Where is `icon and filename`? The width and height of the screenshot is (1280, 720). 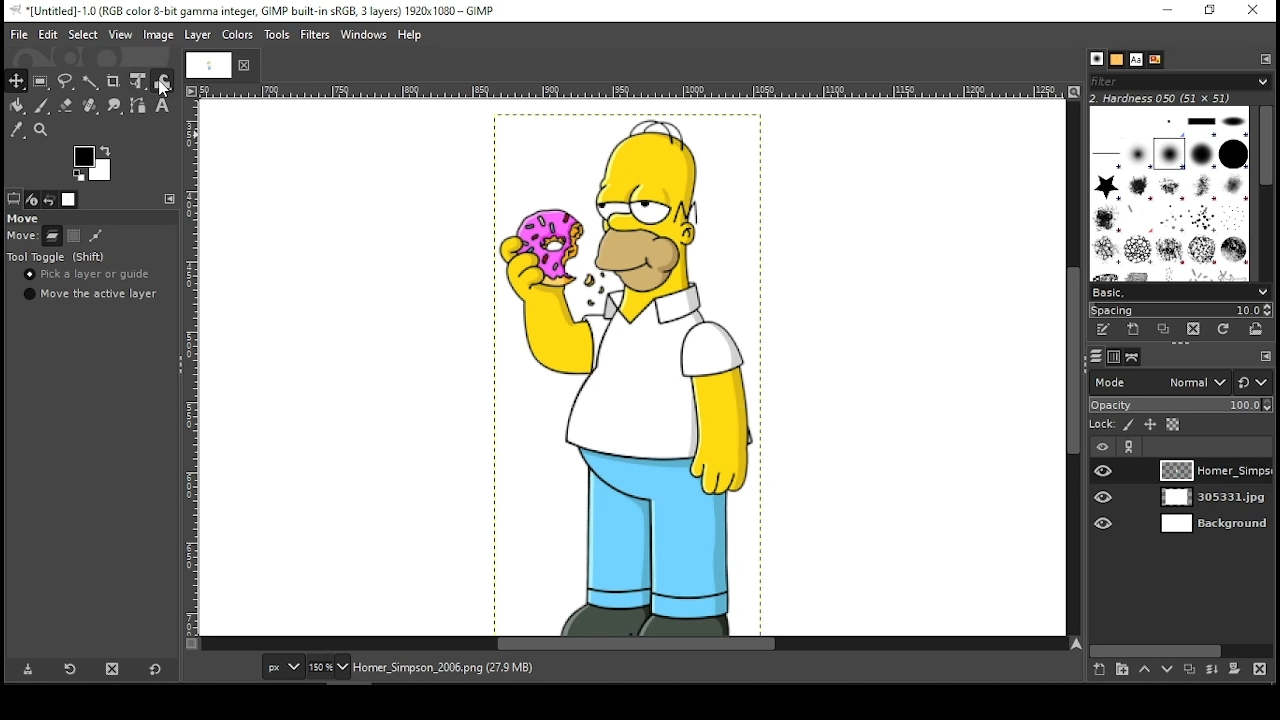 icon and filename is located at coordinates (257, 10).